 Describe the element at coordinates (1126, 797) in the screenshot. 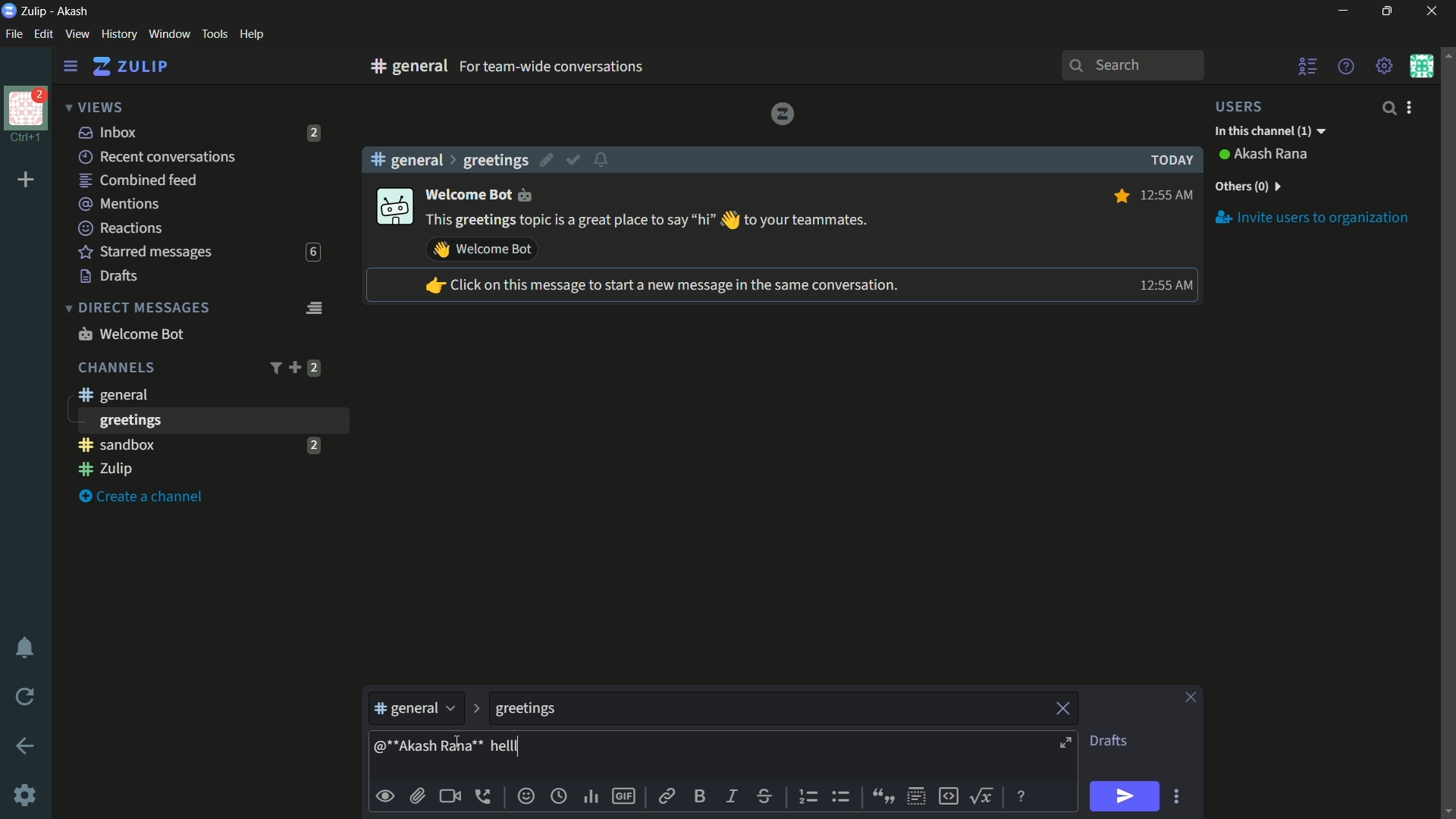

I see `send` at that location.